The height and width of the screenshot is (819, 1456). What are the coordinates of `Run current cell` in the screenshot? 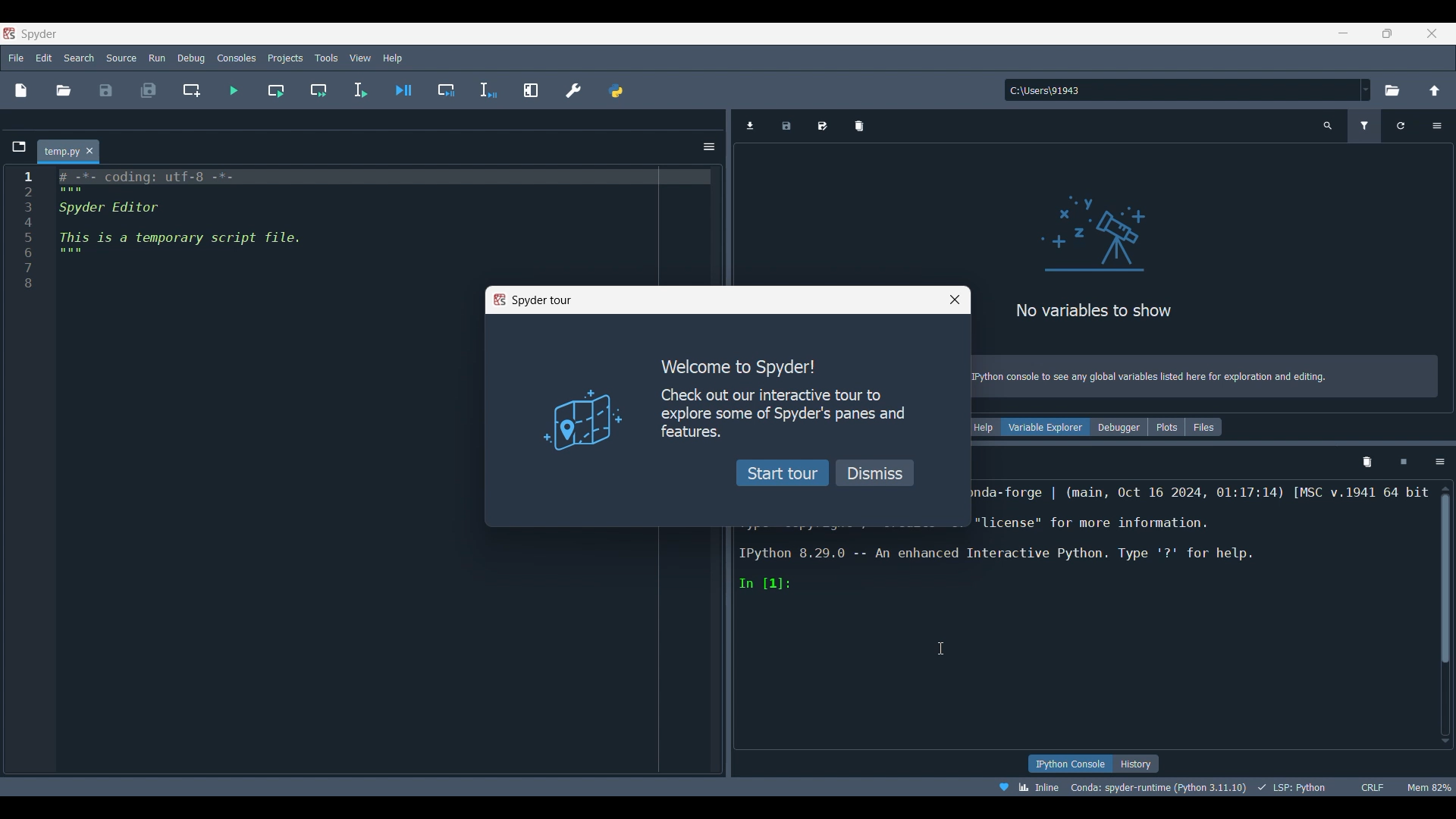 It's located at (278, 90).